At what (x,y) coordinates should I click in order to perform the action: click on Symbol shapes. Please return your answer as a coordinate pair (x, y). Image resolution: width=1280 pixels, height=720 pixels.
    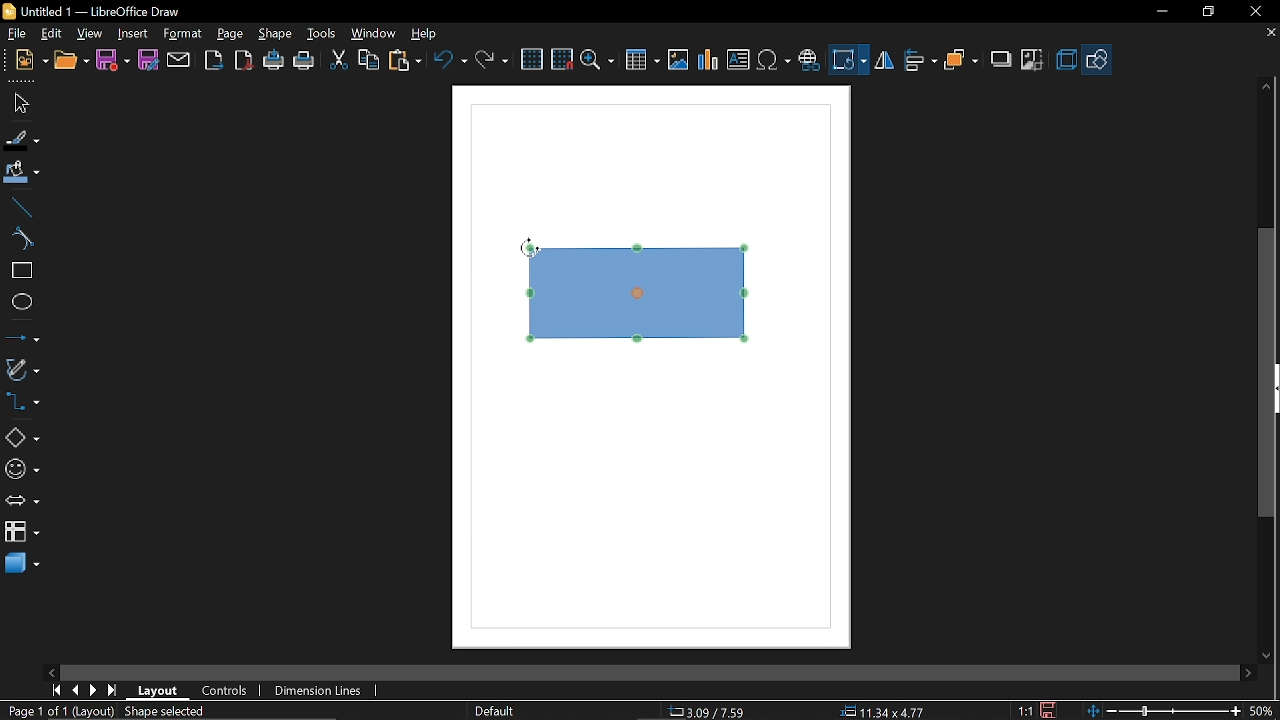
    Looking at the image, I should click on (21, 470).